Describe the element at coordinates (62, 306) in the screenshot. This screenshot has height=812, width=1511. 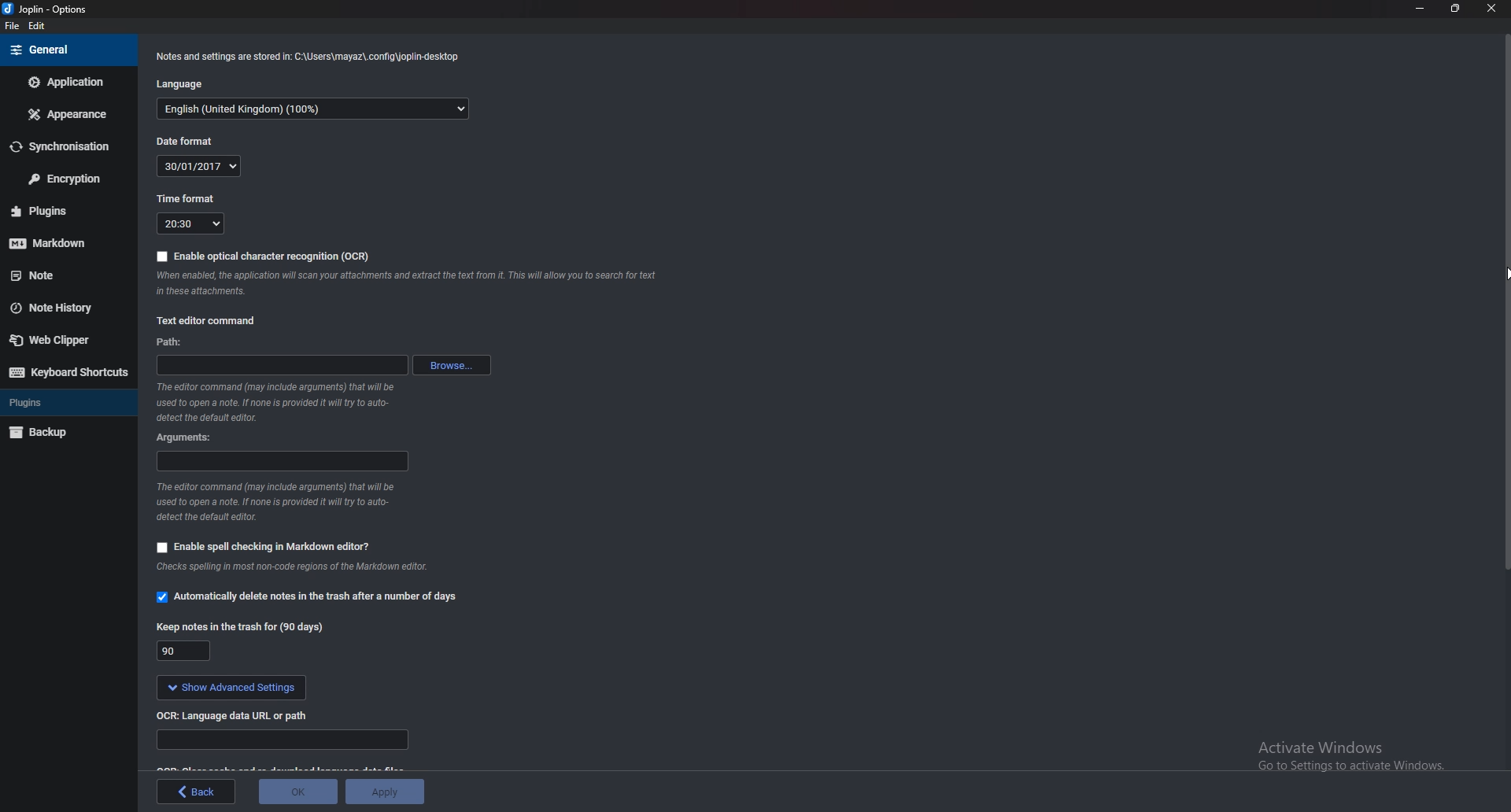
I see `Note history` at that location.